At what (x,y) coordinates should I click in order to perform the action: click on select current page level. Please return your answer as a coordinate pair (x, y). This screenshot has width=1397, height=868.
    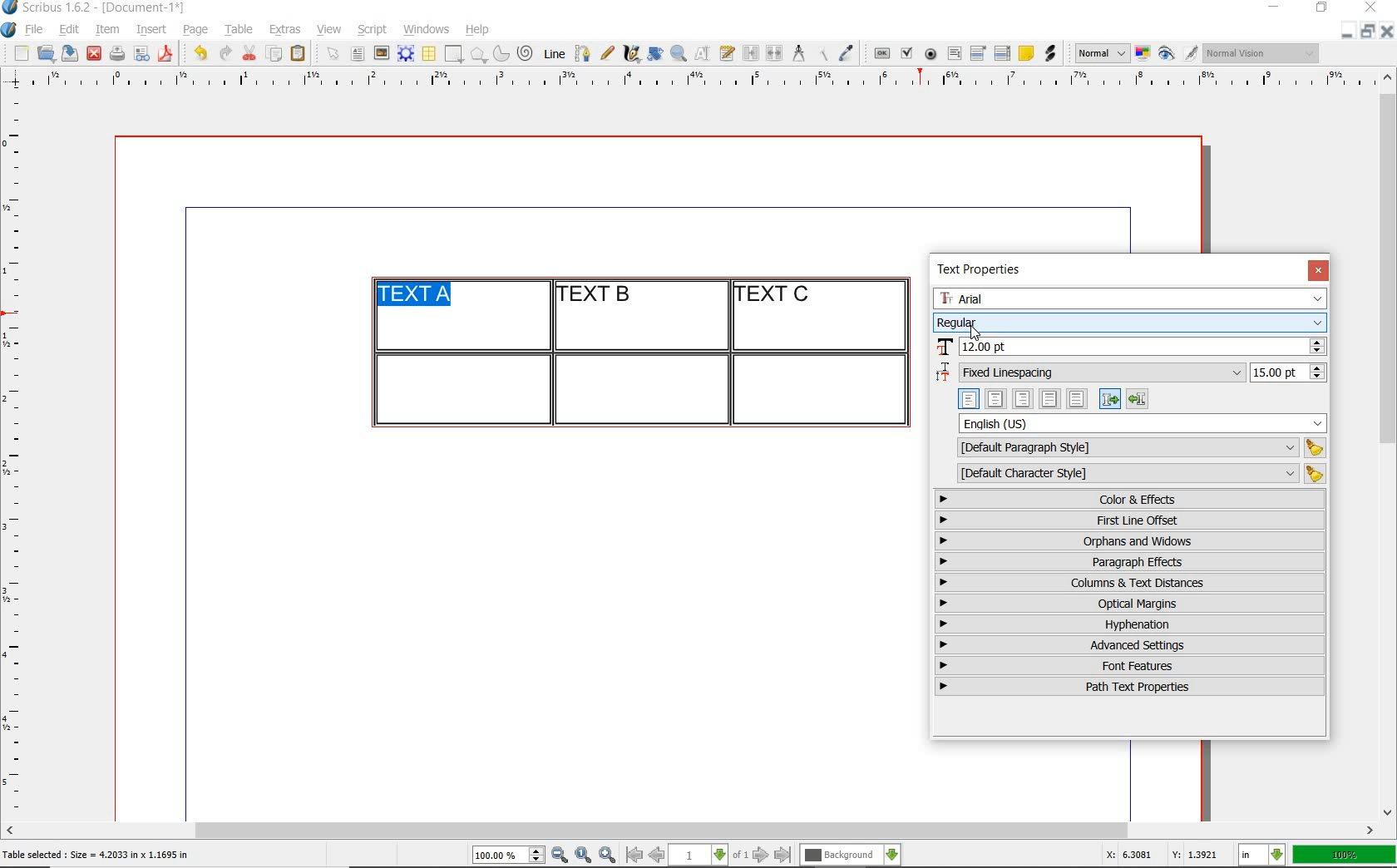
    Looking at the image, I should click on (708, 855).